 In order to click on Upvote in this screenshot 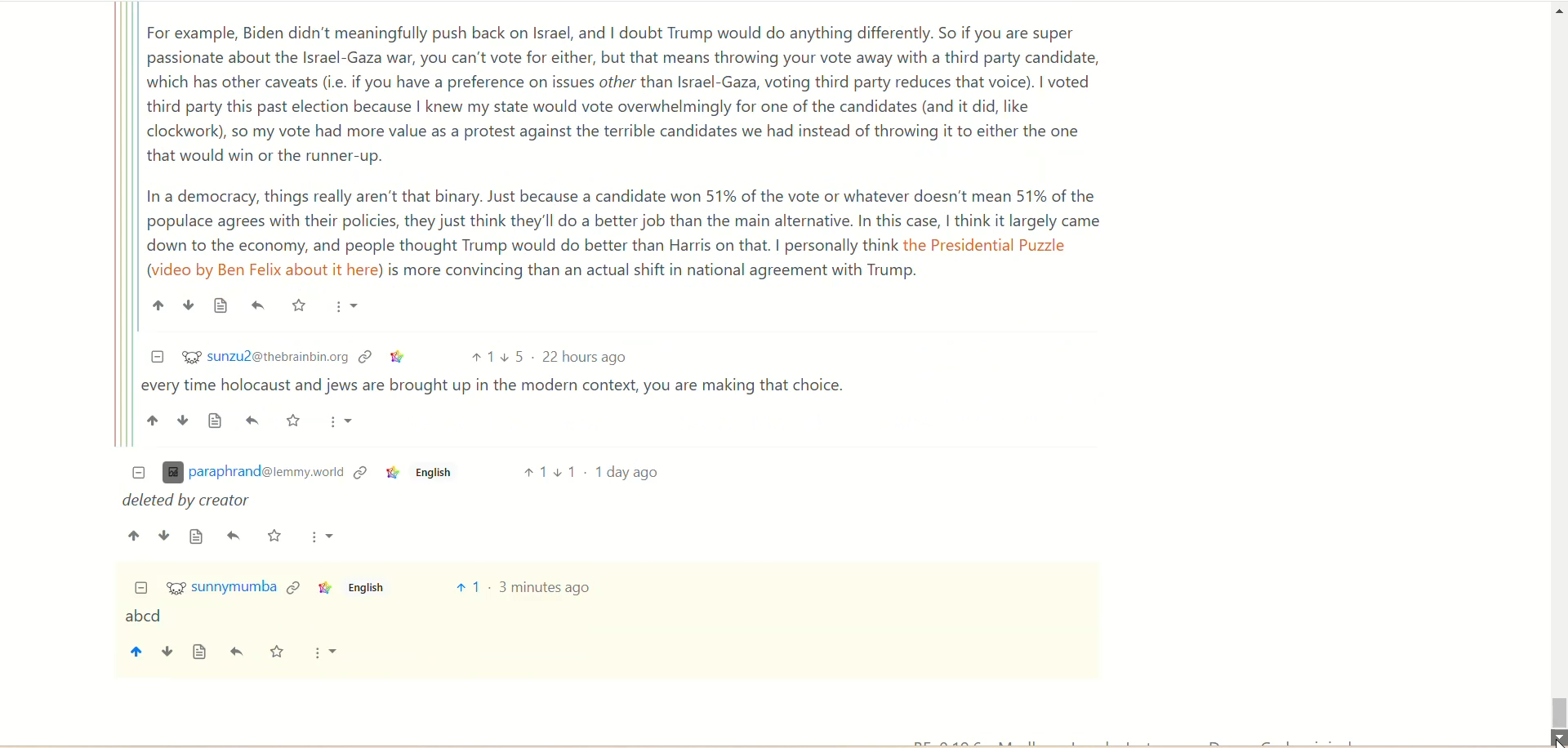, I will do `click(154, 419)`.